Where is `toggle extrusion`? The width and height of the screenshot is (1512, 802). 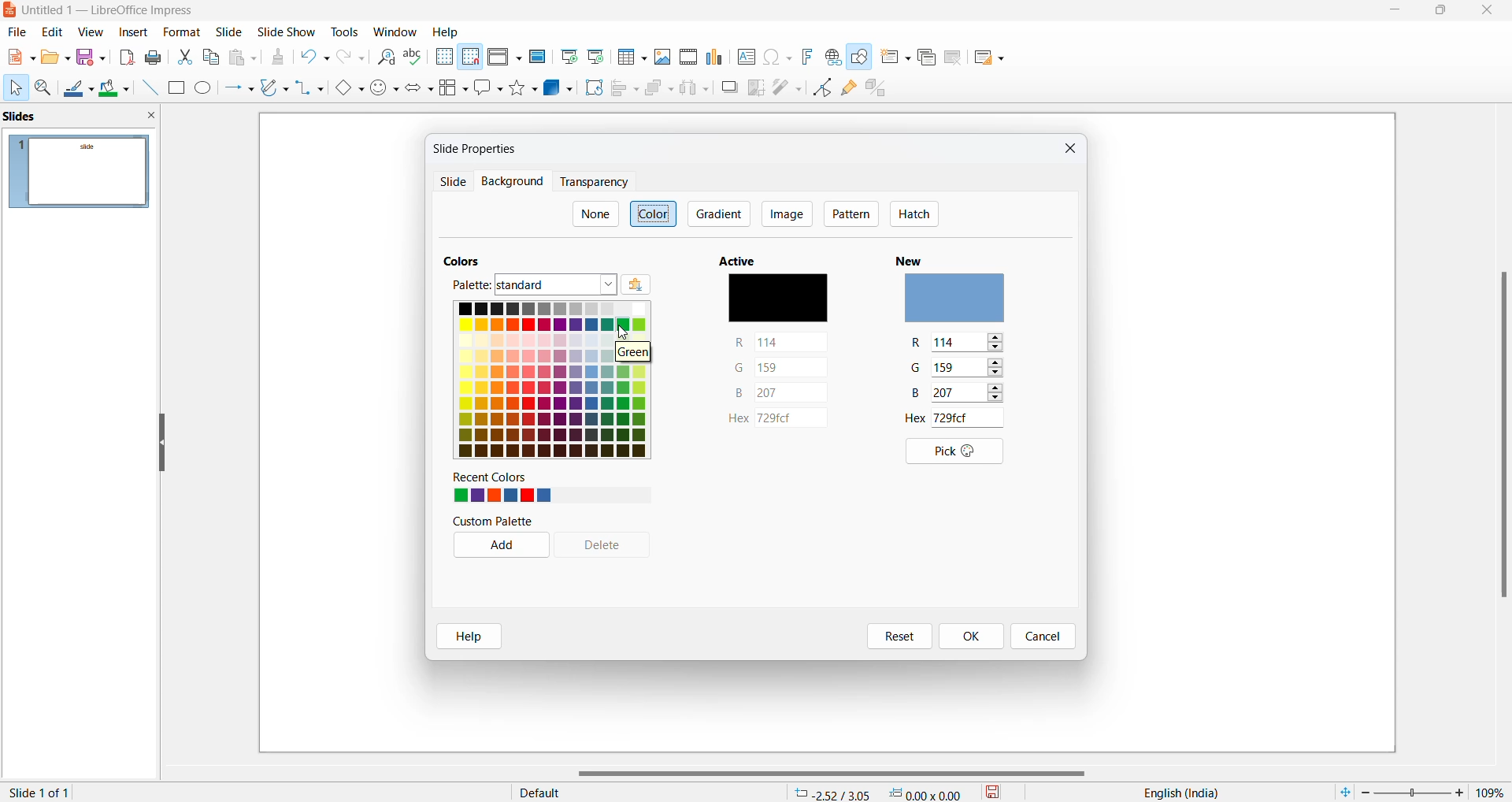
toggle extrusion is located at coordinates (881, 91).